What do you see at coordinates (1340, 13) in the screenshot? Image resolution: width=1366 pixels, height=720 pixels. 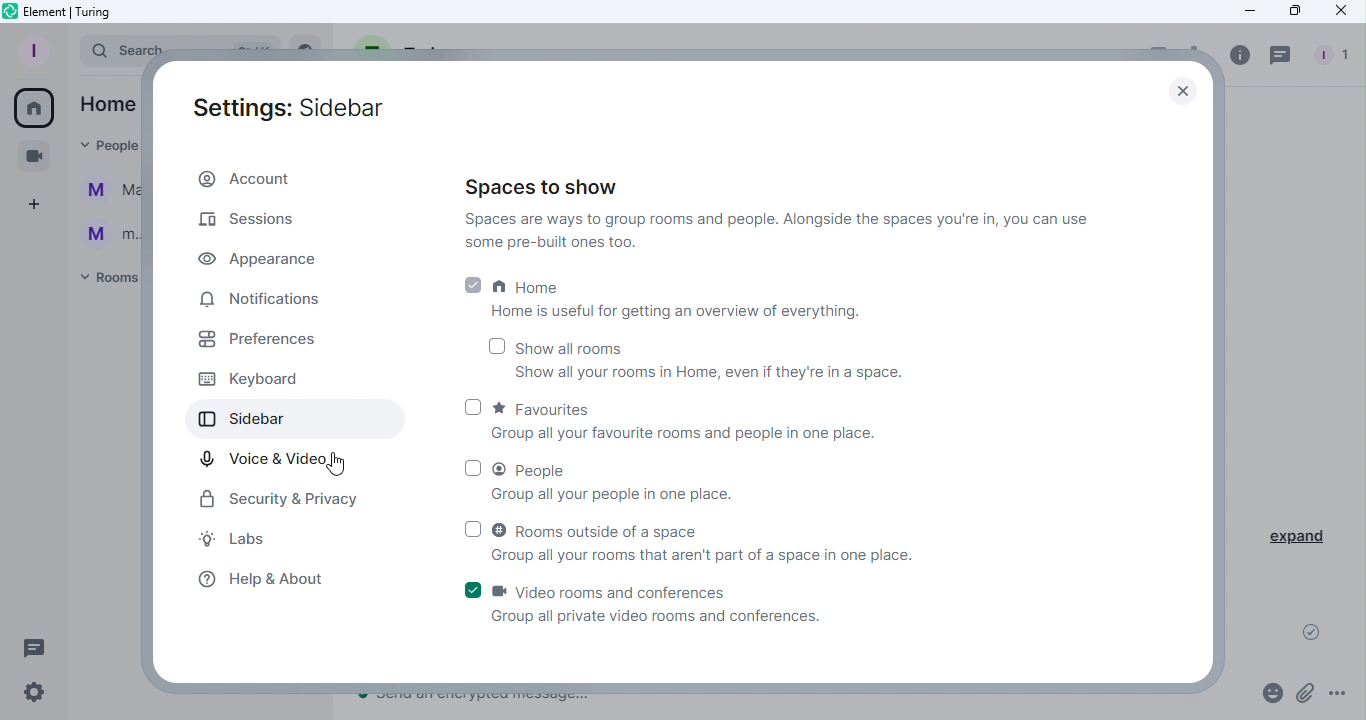 I see `Close` at bounding box center [1340, 13].